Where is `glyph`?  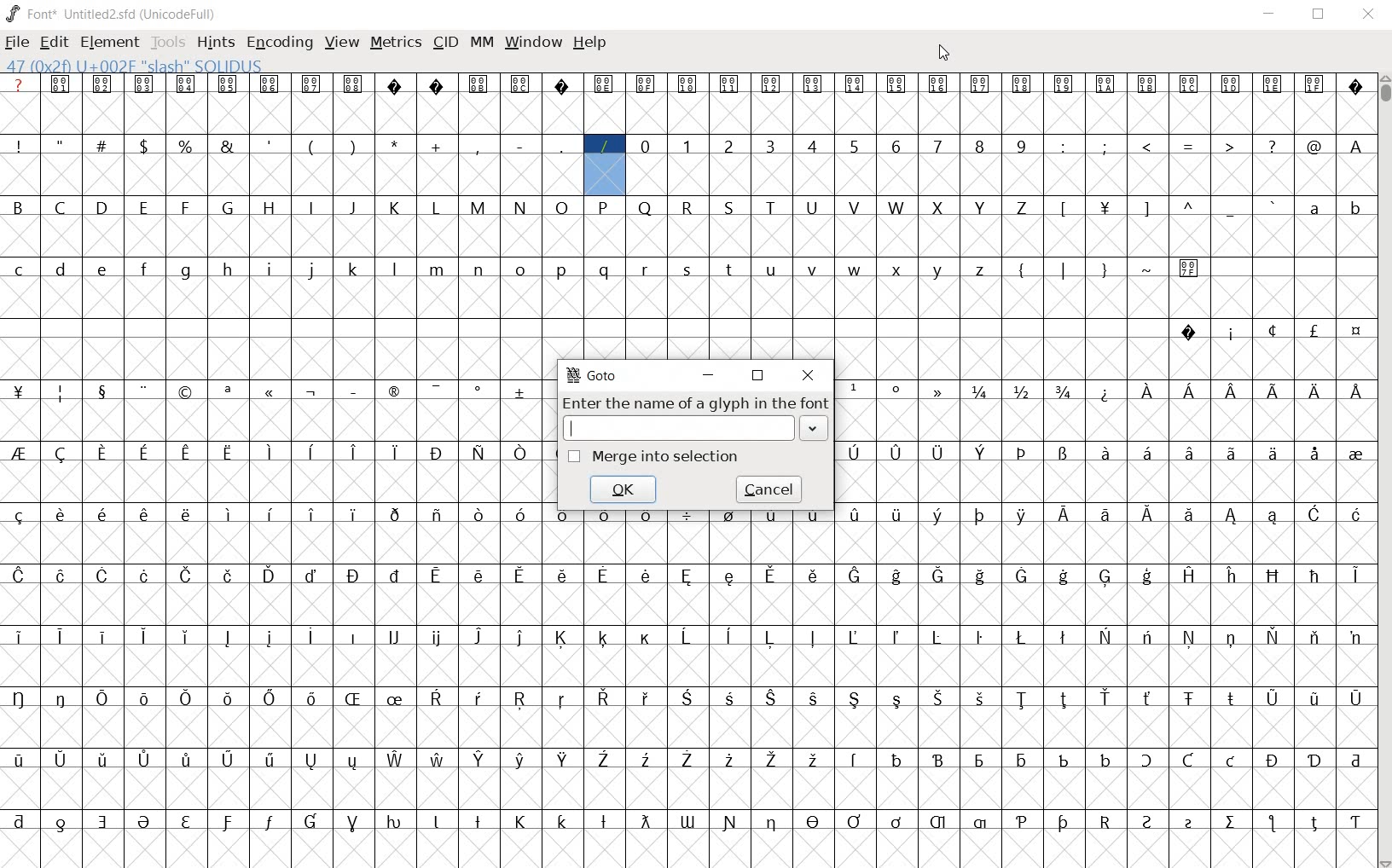
glyph is located at coordinates (1064, 85).